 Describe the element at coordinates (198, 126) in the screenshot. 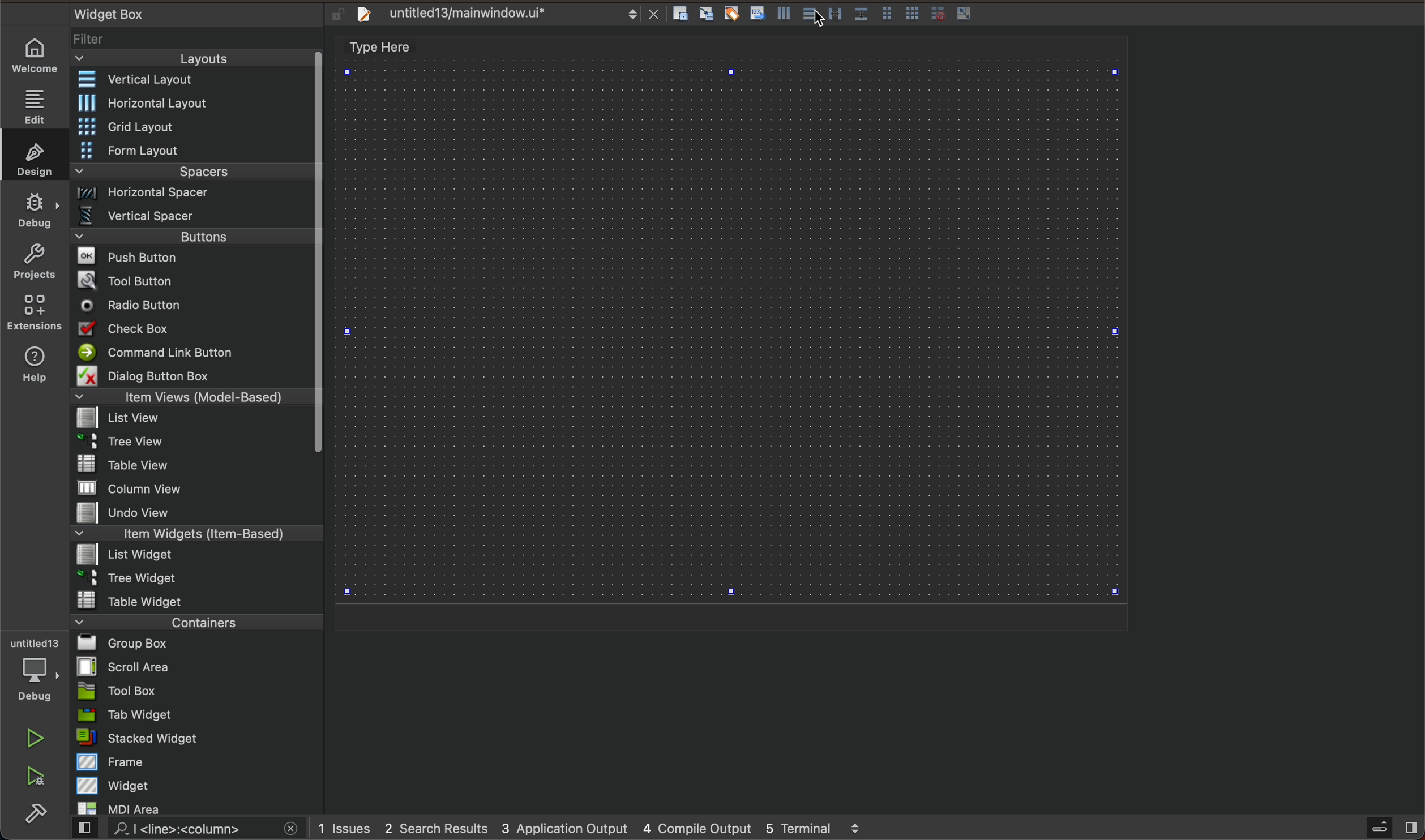

I see `grid layout` at that location.